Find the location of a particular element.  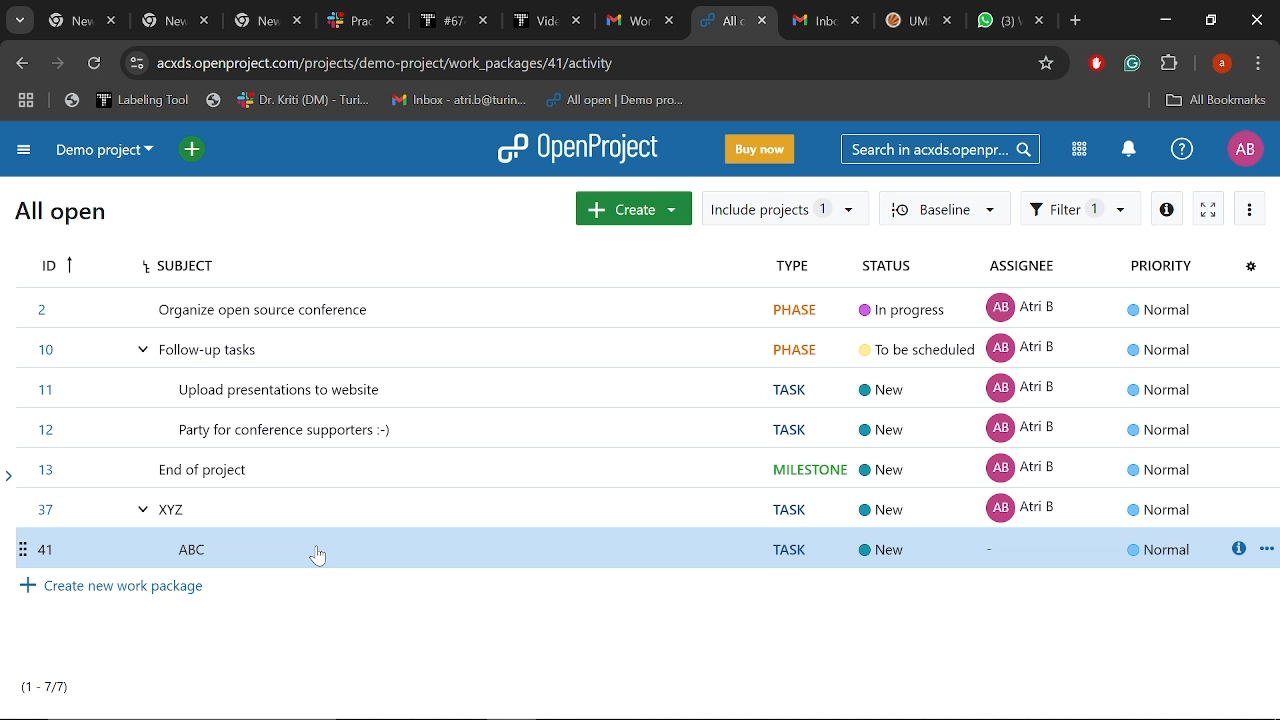

Create new work package is located at coordinates (118, 588).